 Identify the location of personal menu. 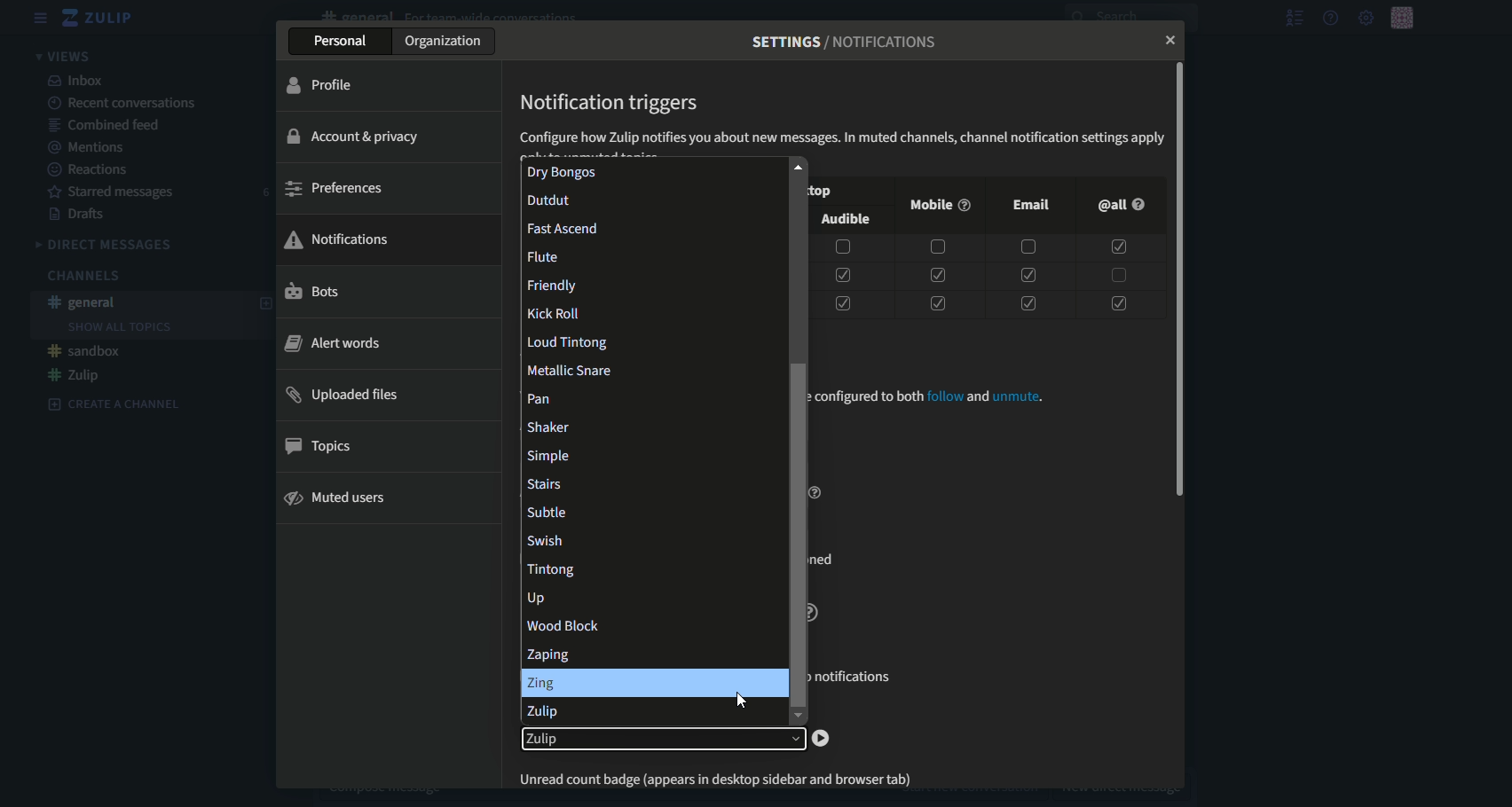
(1404, 17).